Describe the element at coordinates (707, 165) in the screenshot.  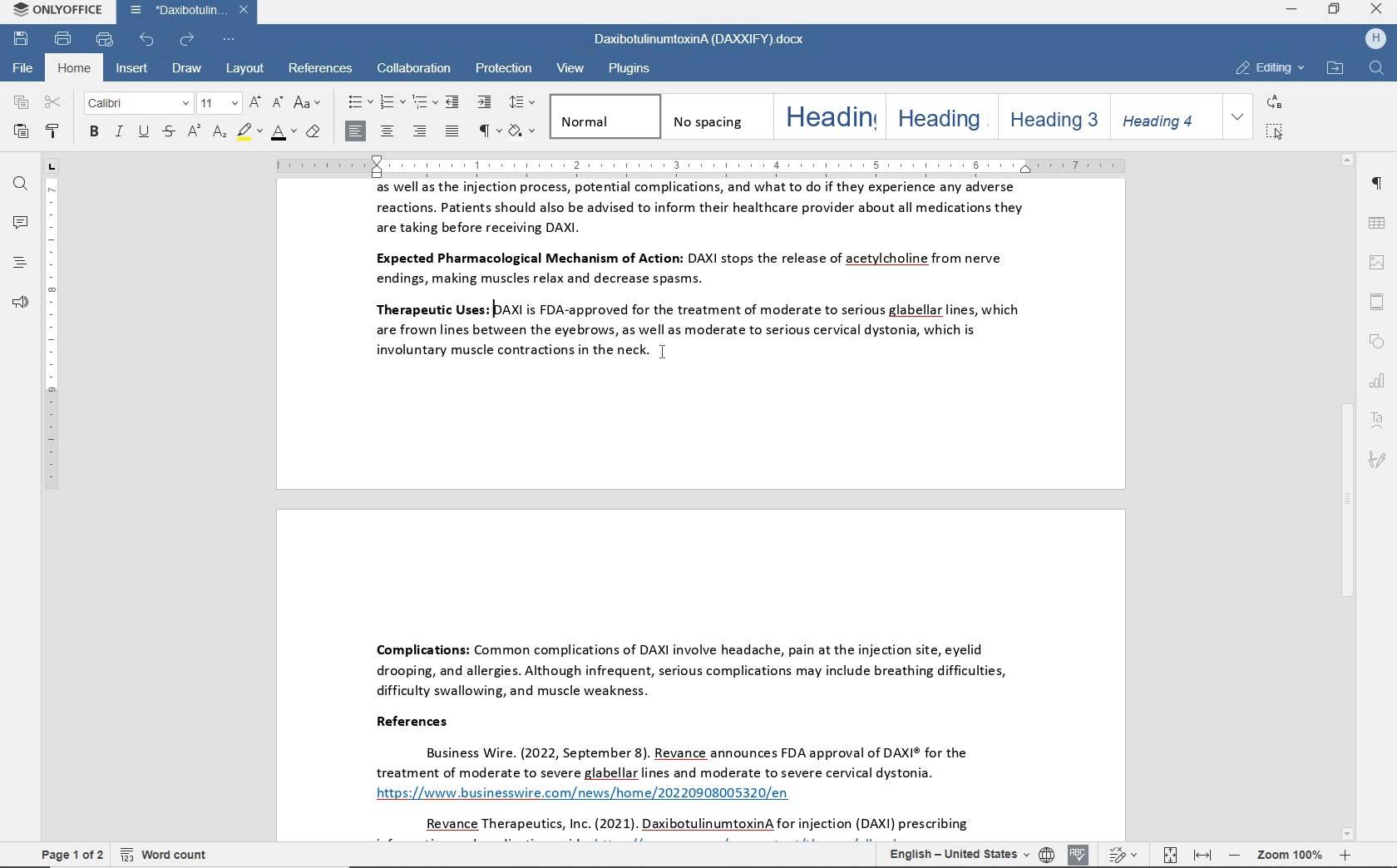
I see `ruler` at that location.